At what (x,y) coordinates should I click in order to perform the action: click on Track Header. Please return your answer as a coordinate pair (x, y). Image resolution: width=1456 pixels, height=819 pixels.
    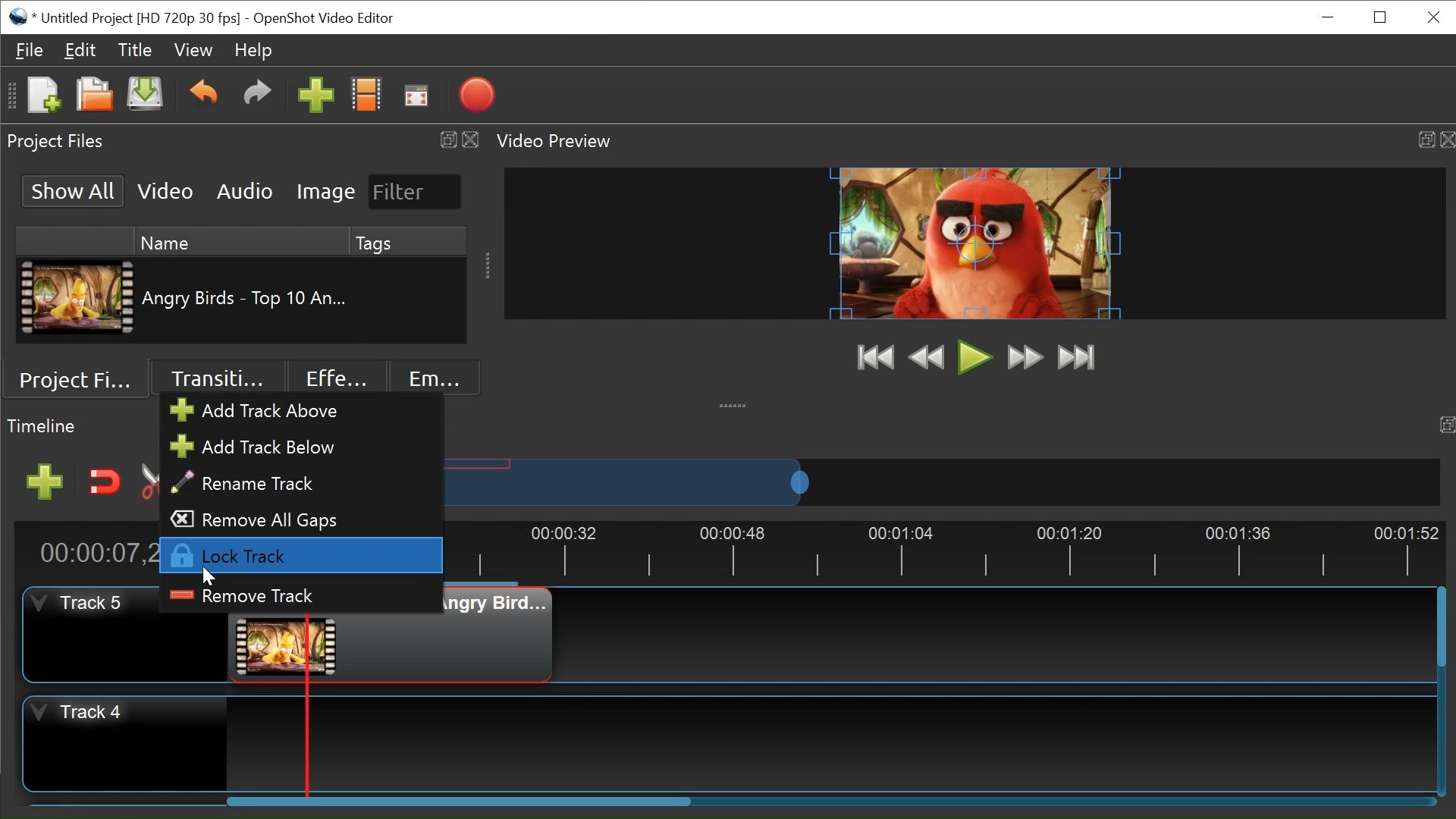
    Looking at the image, I should click on (126, 744).